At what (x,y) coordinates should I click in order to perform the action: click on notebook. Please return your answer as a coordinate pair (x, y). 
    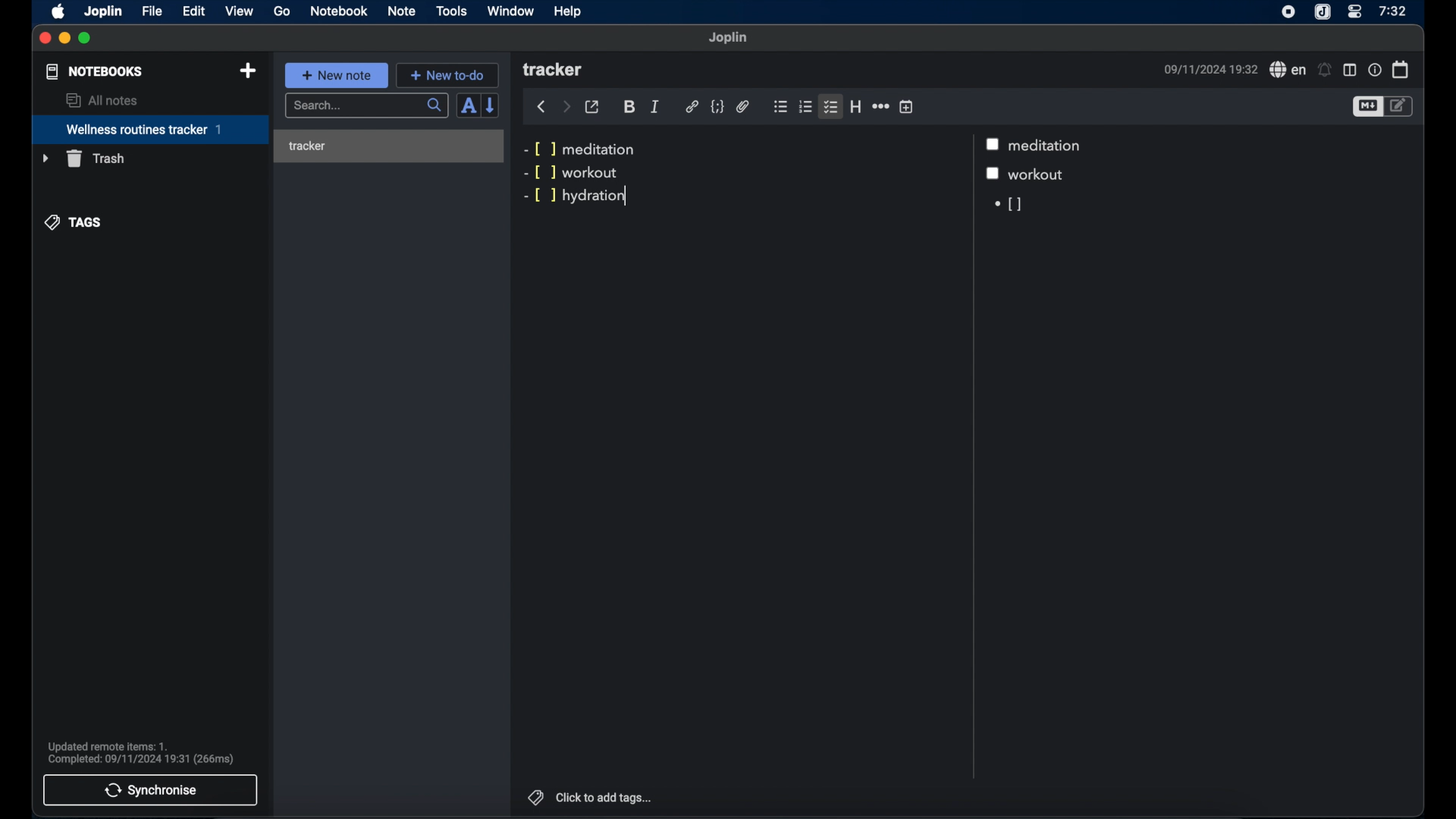
    Looking at the image, I should click on (339, 11).